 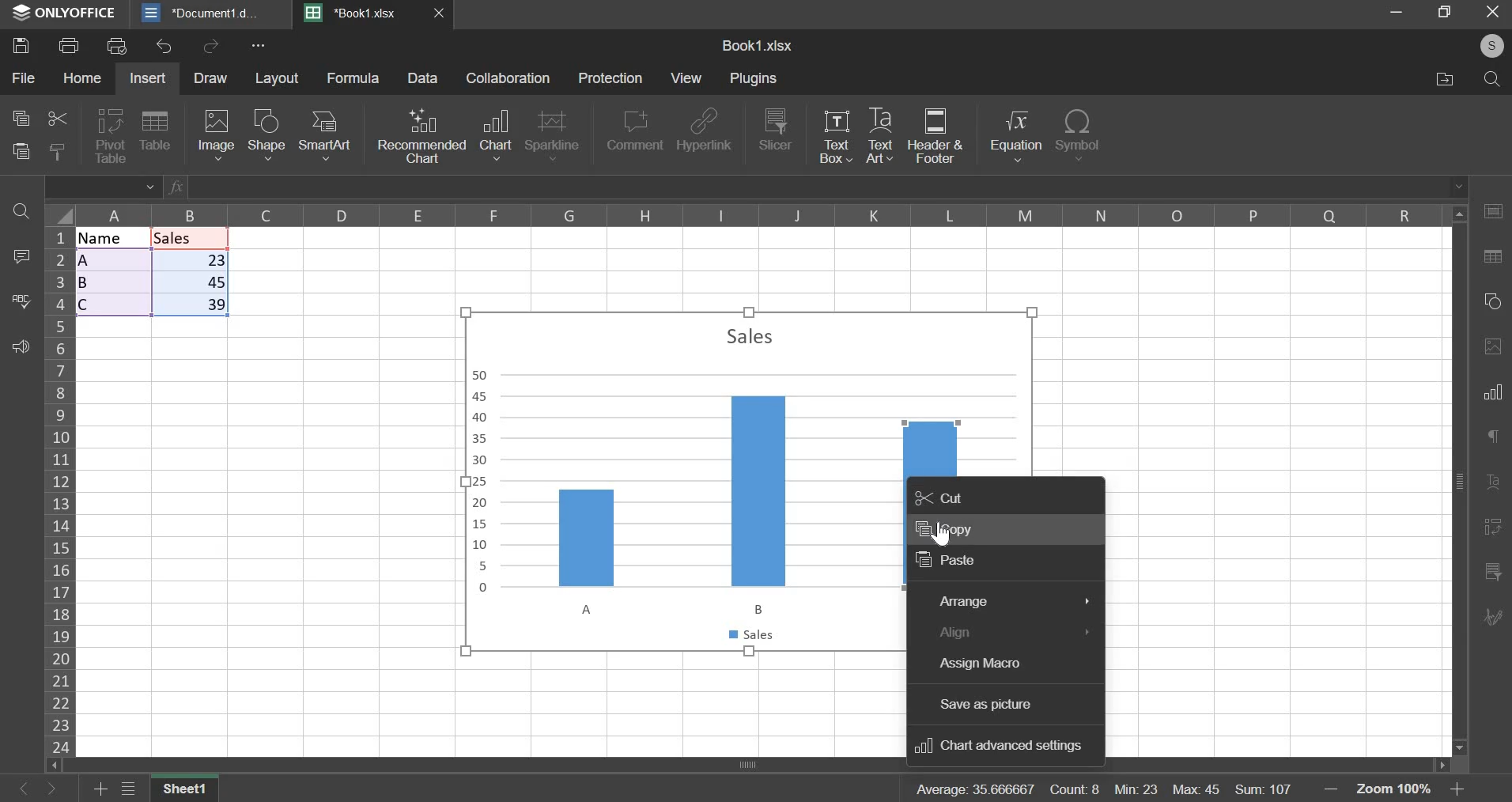 I want to click on save, so click(x=21, y=44).